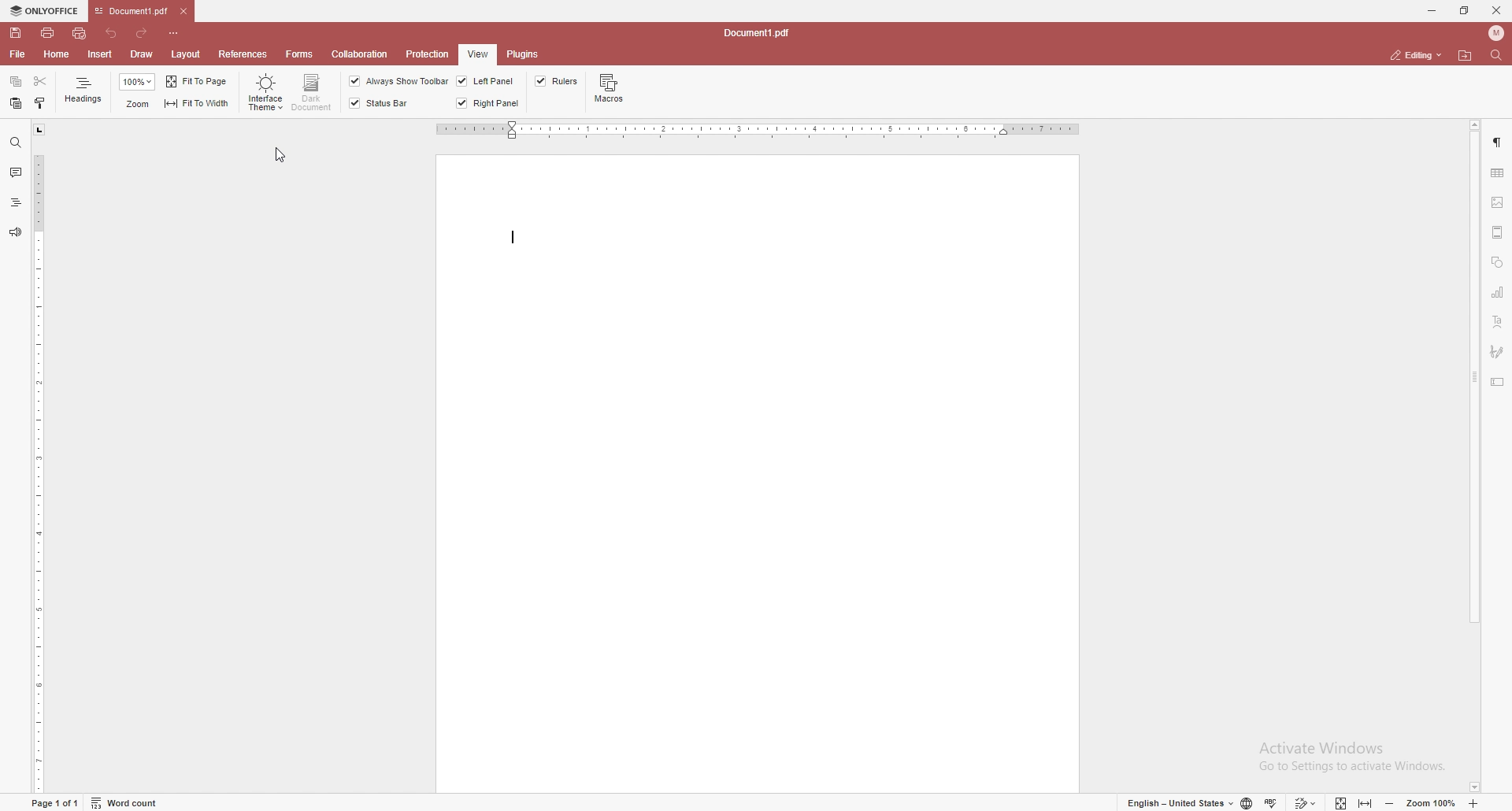  I want to click on dark document, so click(313, 92).